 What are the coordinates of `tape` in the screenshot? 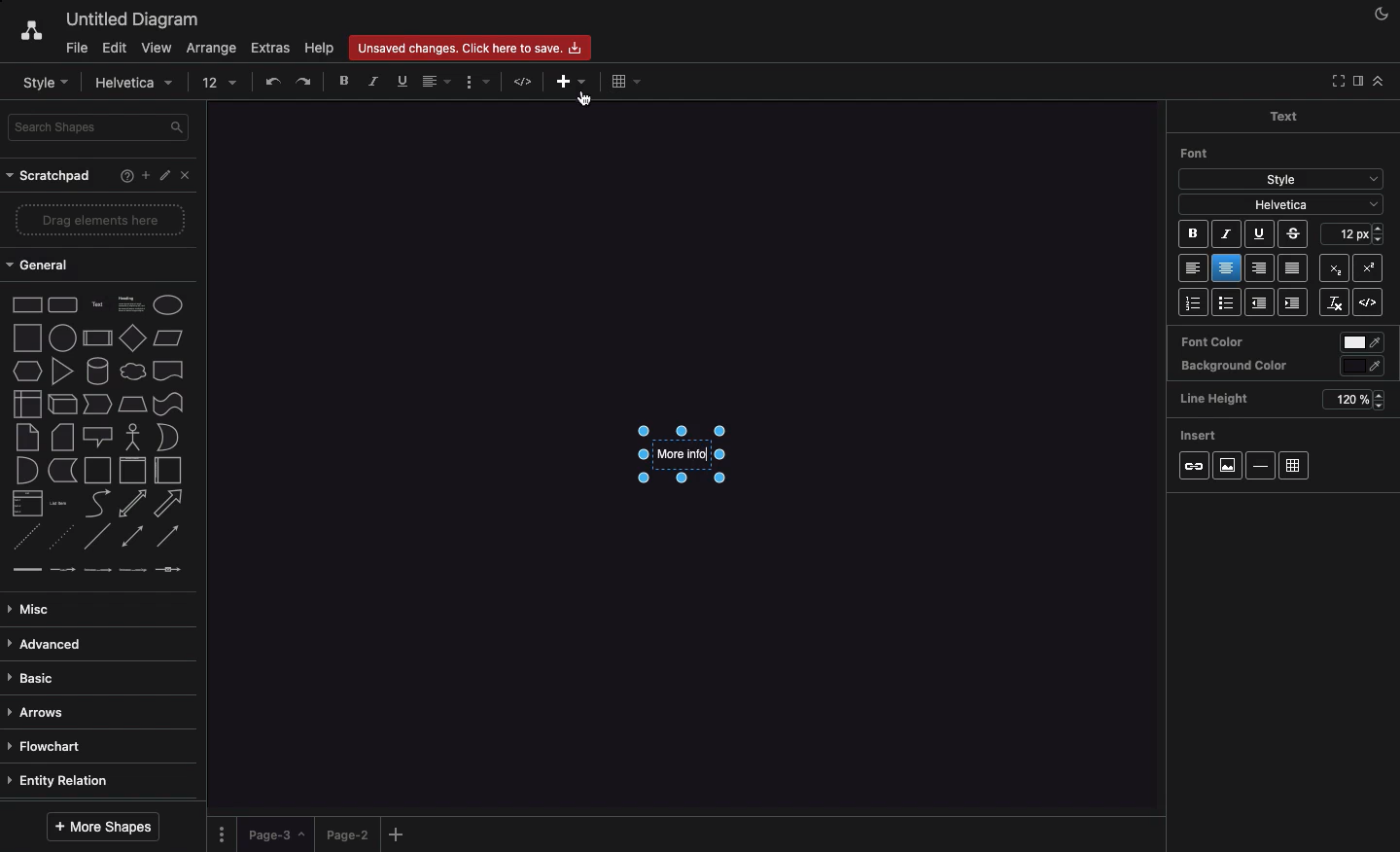 It's located at (168, 404).